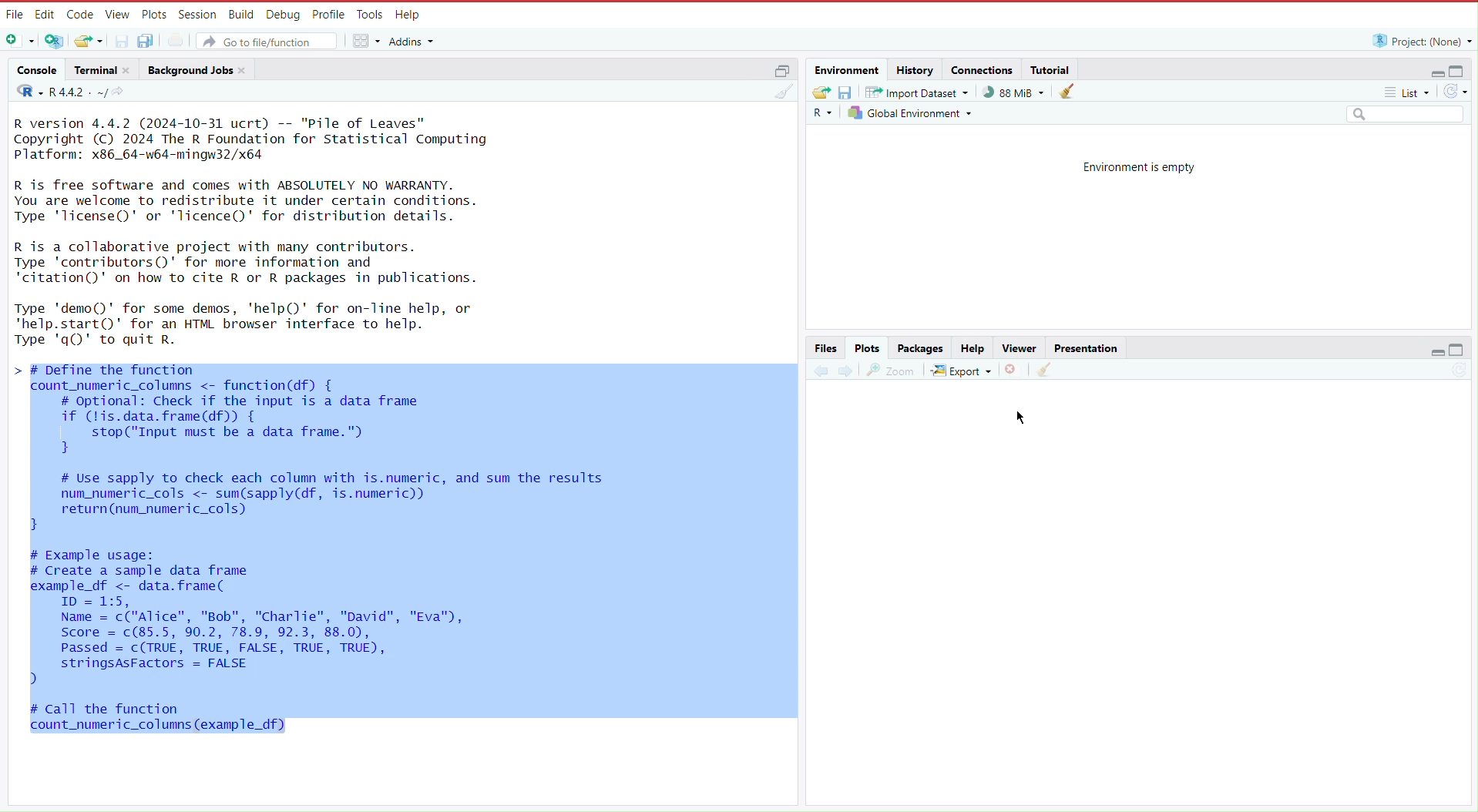 The image size is (1478, 812). Describe the element at coordinates (1418, 40) in the screenshot. I see `Project (Note)` at that location.